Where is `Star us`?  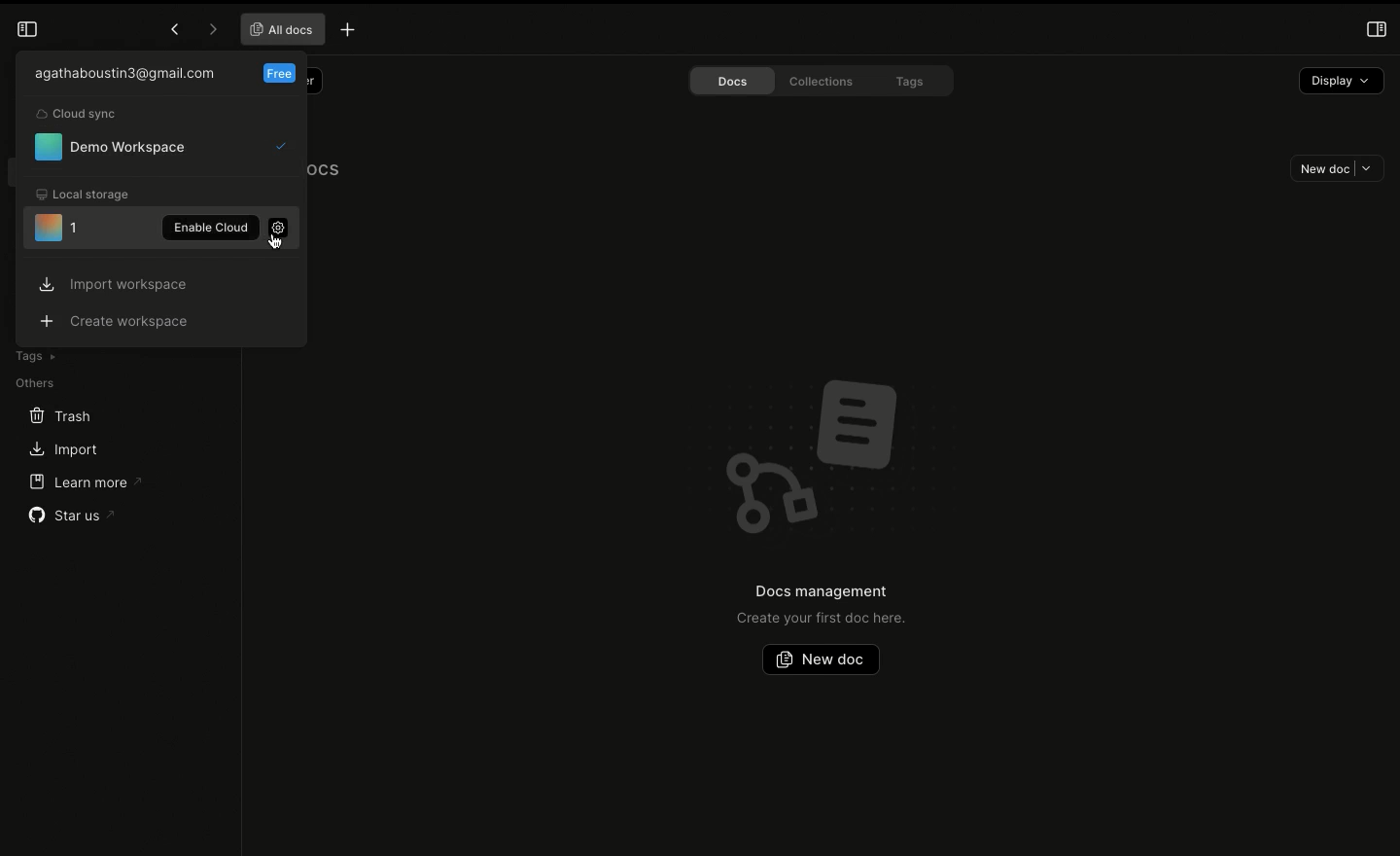 Star us is located at coordinates (70, 512).